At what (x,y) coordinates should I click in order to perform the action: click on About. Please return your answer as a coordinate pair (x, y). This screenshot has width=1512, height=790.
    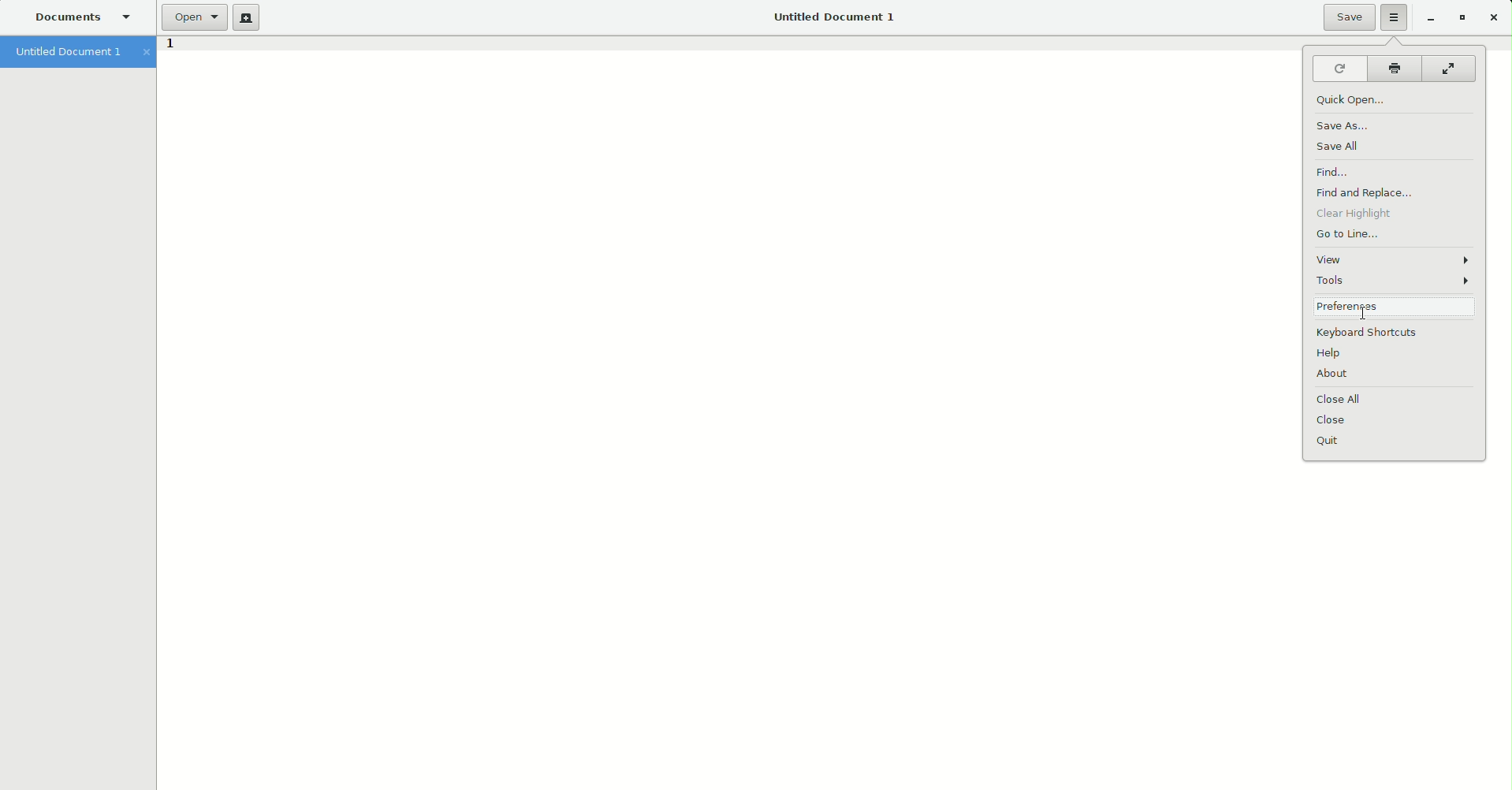
    Looking at the image, I should click on (1336, 375).